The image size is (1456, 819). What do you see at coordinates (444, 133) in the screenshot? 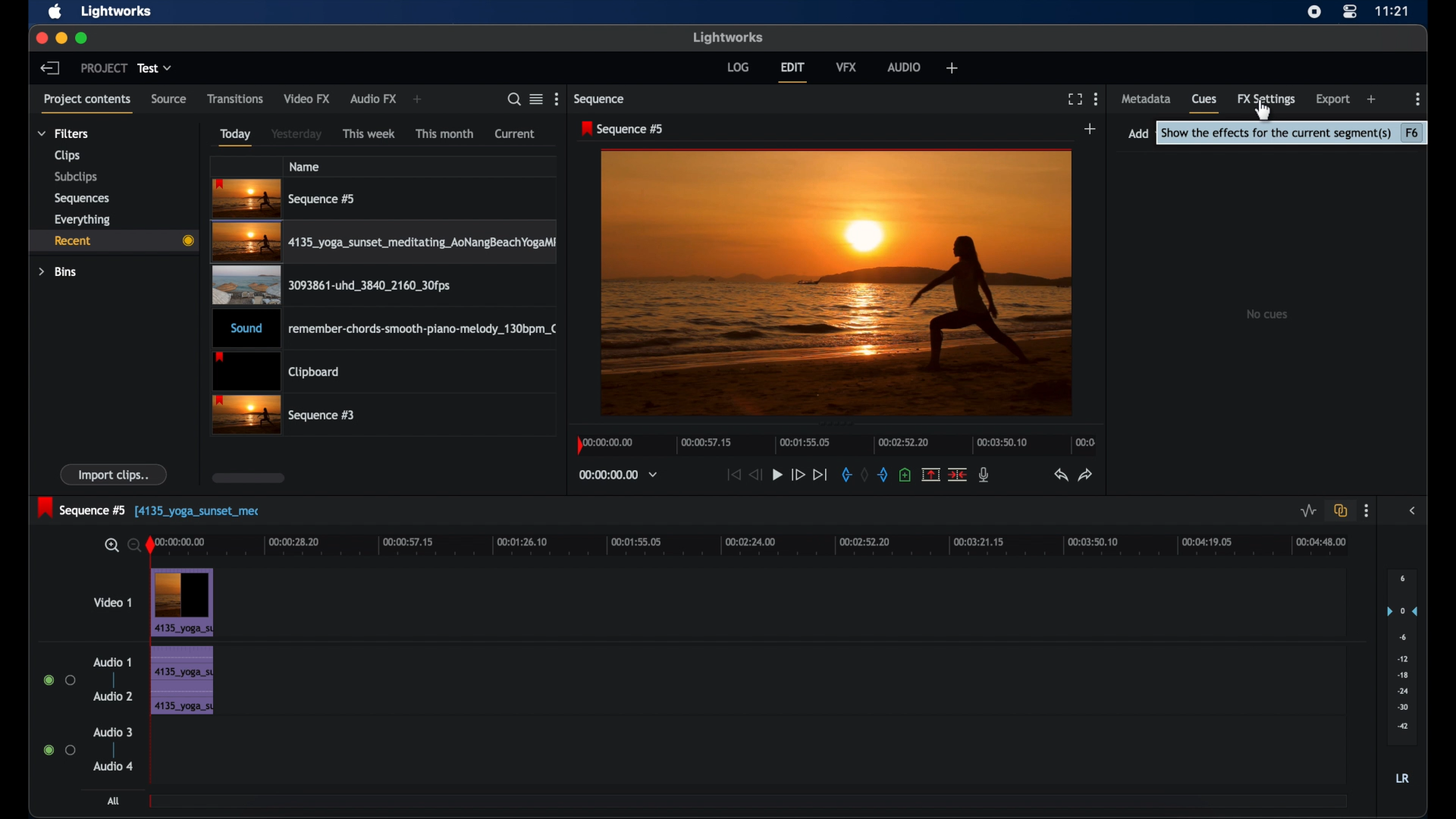
I see `this month` at bounding box center [444, 133].